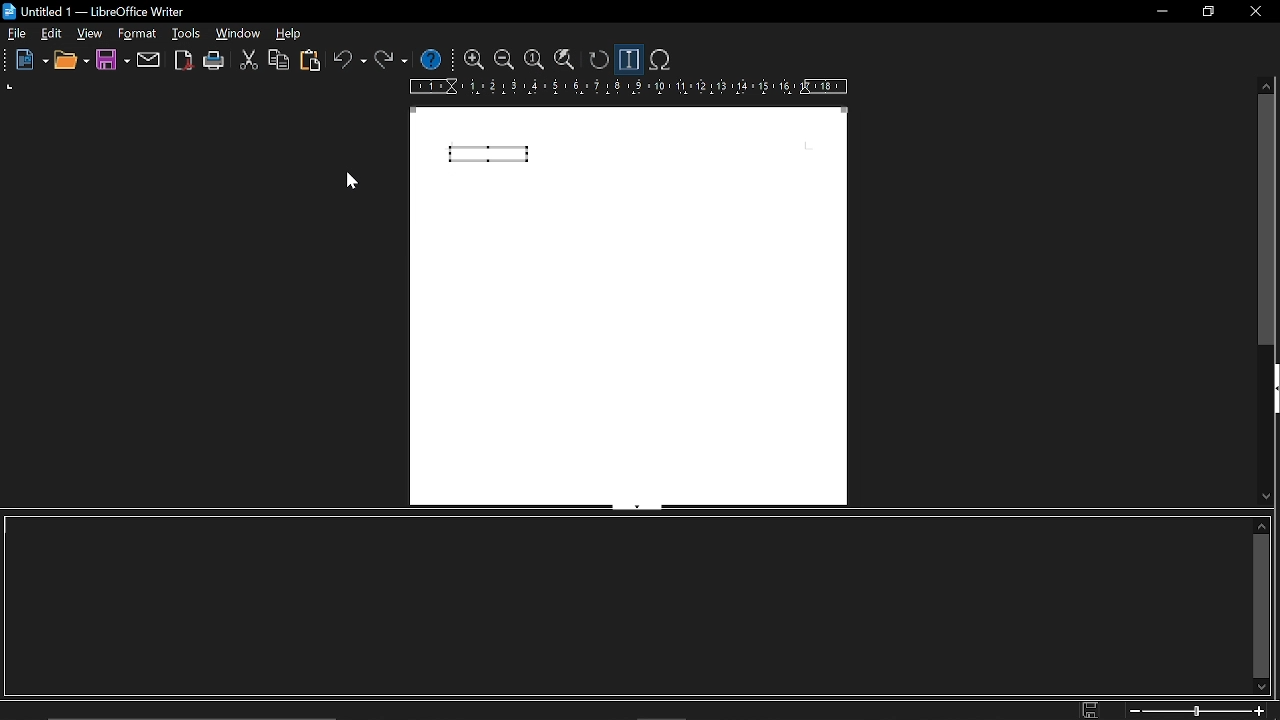 The width and height of the screenshot is (1280, 720). Describe the element at coordinates (13, 87) in the screenshot. I see `column options` at that location.